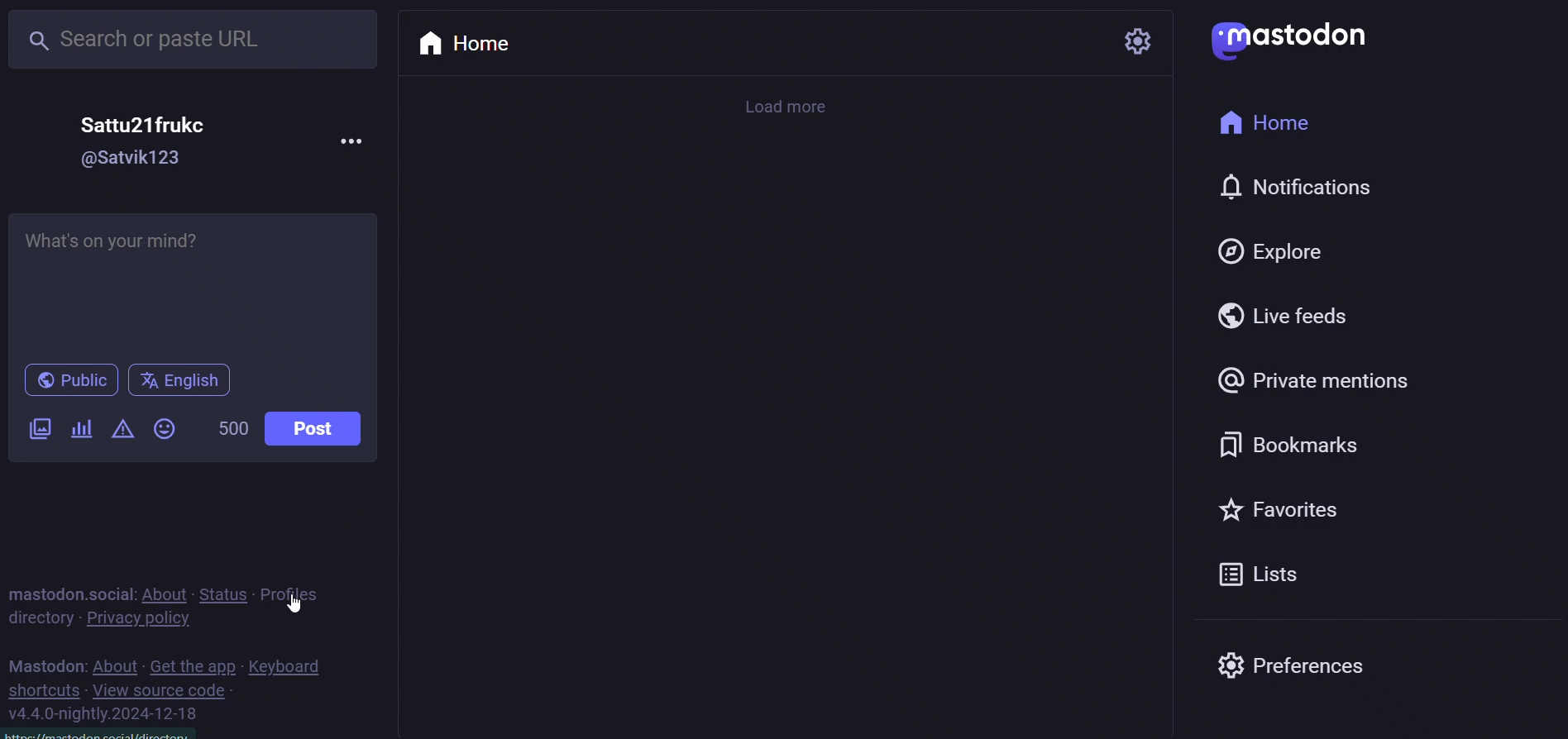  What do you see at coordinates (179, 379) in the screenshot?
I see `language` at bounding box center [179, 379].